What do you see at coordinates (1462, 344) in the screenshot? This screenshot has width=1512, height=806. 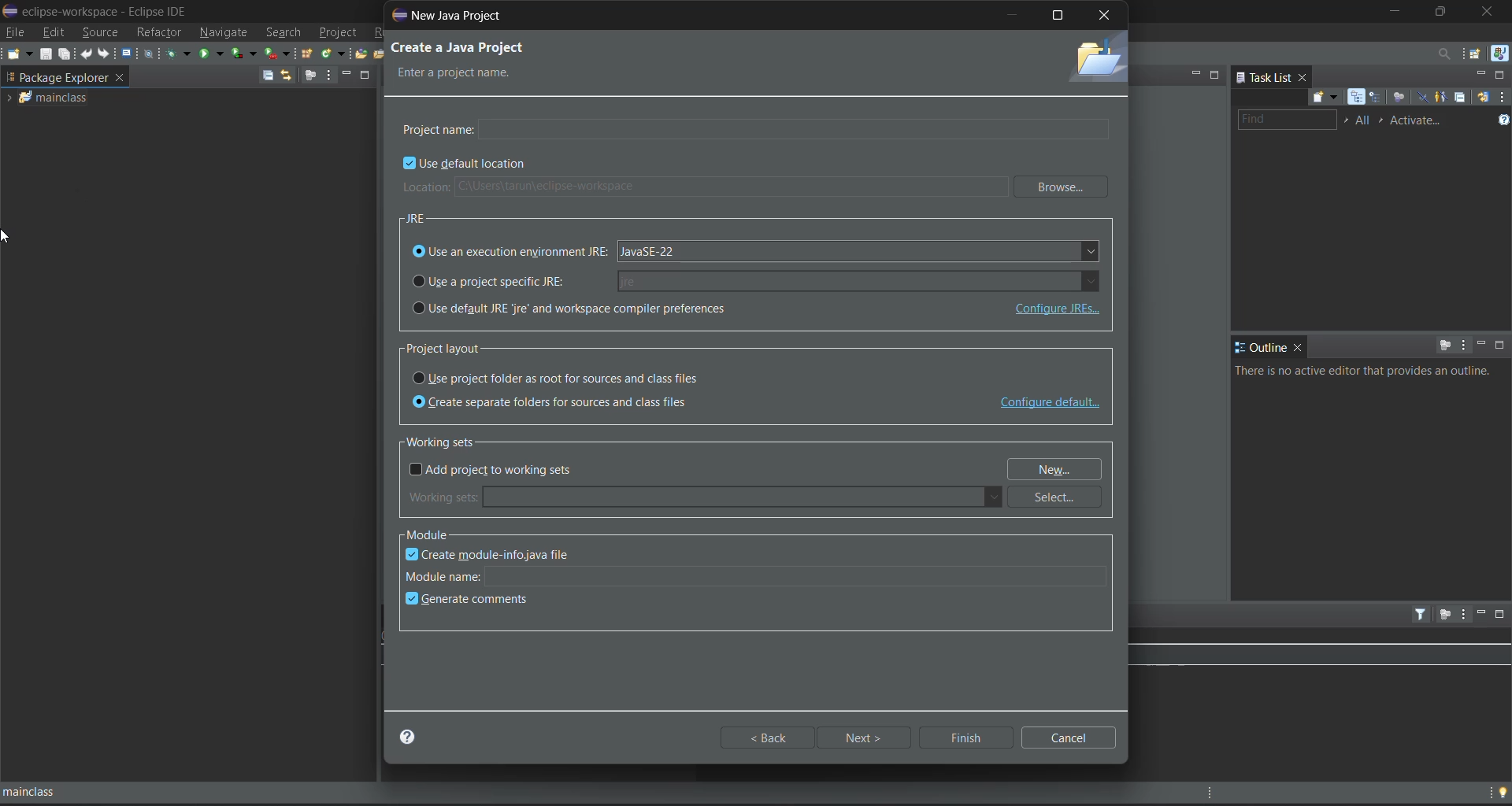 I see `view menu` at bounding box center [1462, 344].